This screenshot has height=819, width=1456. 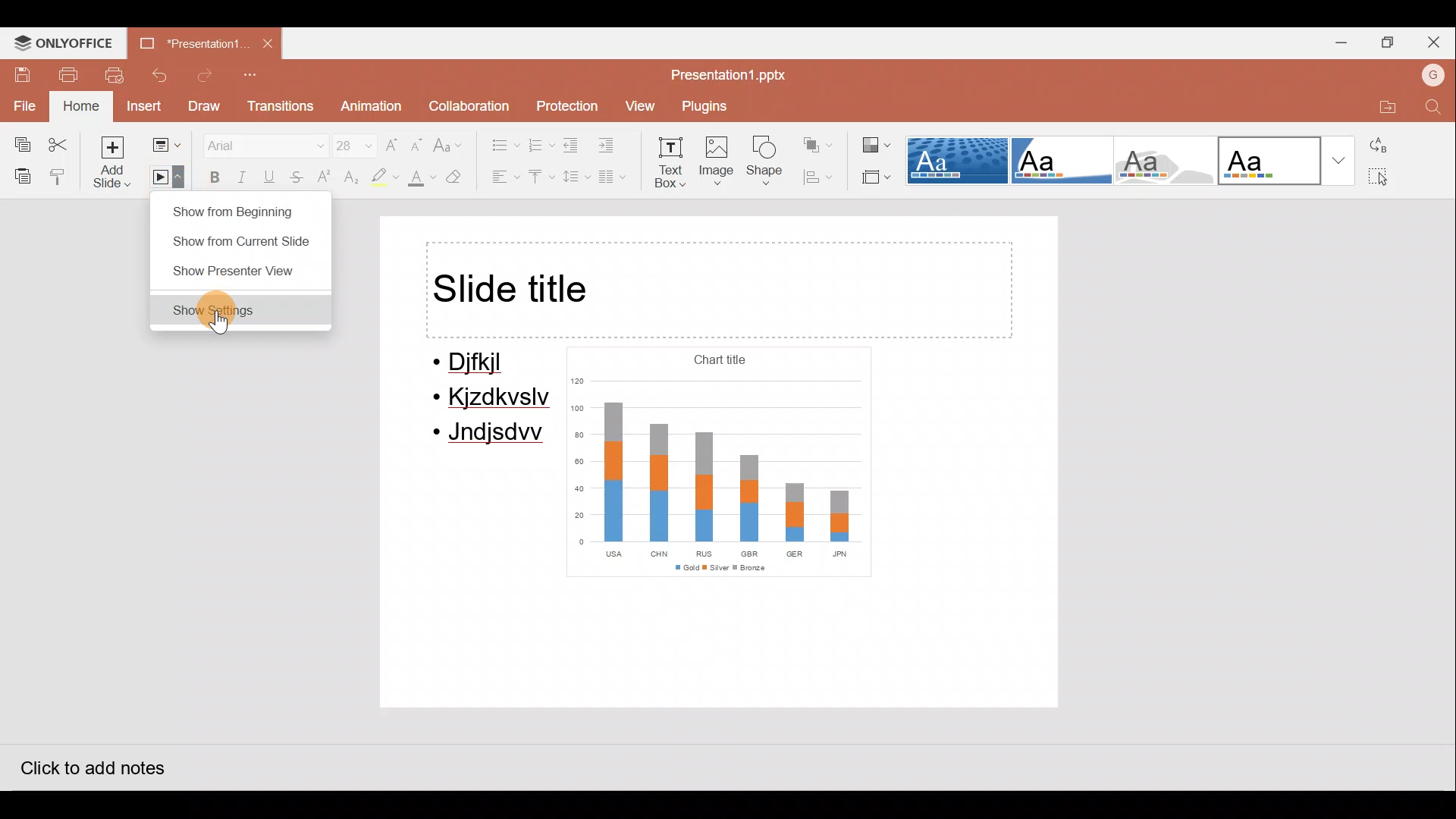 What do you see at coordinates (106, 76) in the screenshot?
I see `Print preview` at bounding box center [106, 76].